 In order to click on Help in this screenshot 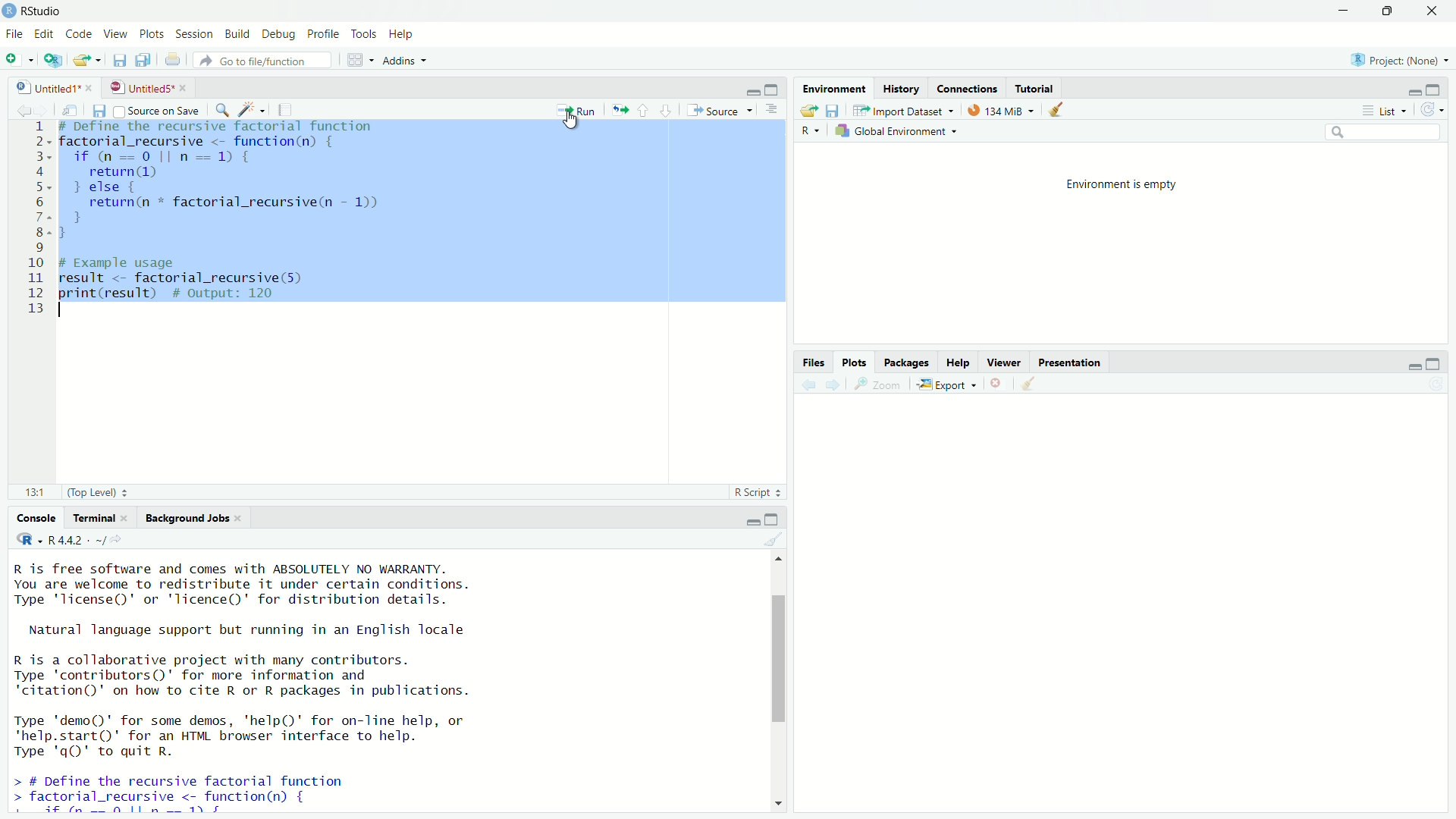, I will do `click(402, 34)`.